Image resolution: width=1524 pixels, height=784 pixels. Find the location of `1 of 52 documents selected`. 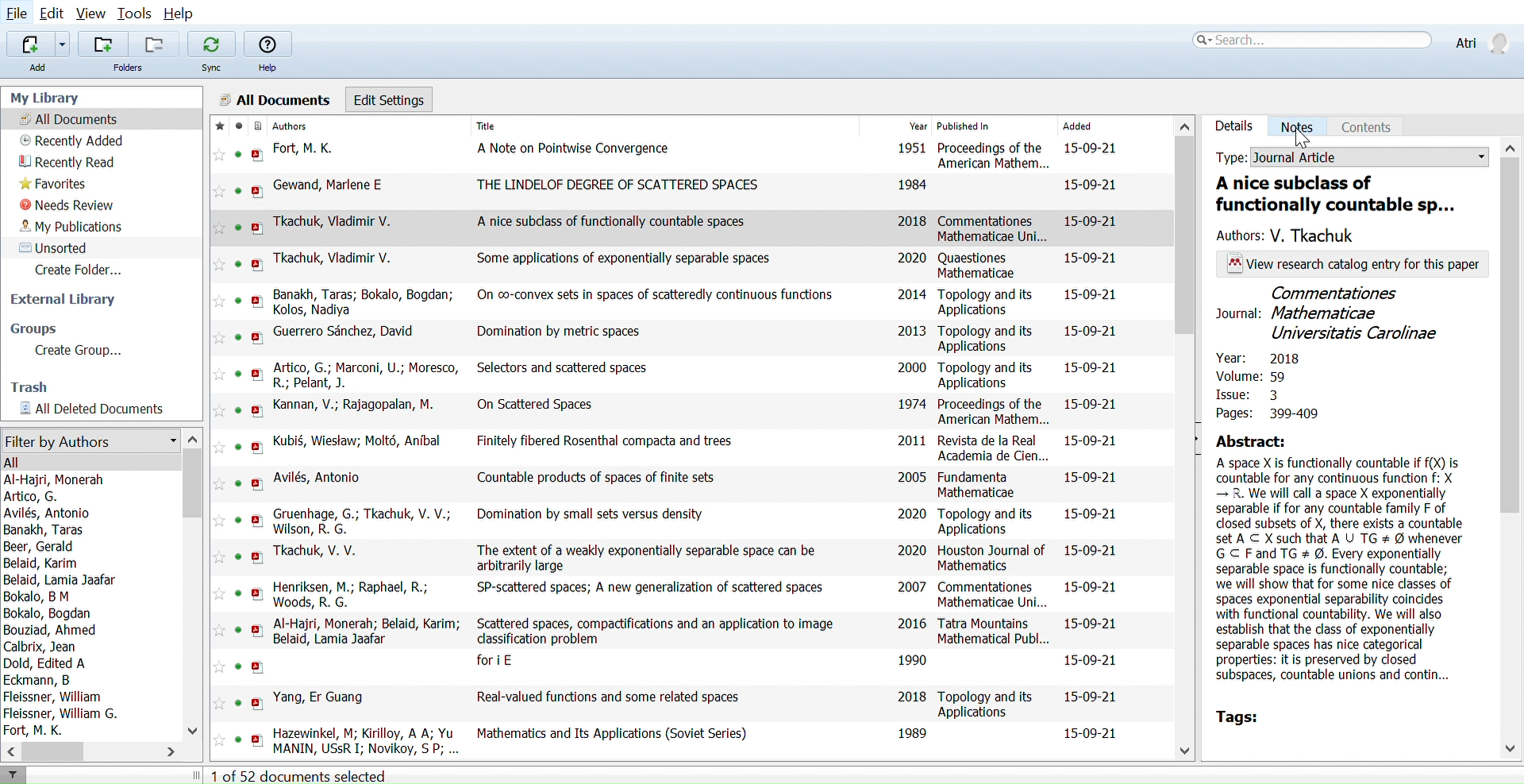

1 of 52 documents selected is located at coordinates (307, 774).